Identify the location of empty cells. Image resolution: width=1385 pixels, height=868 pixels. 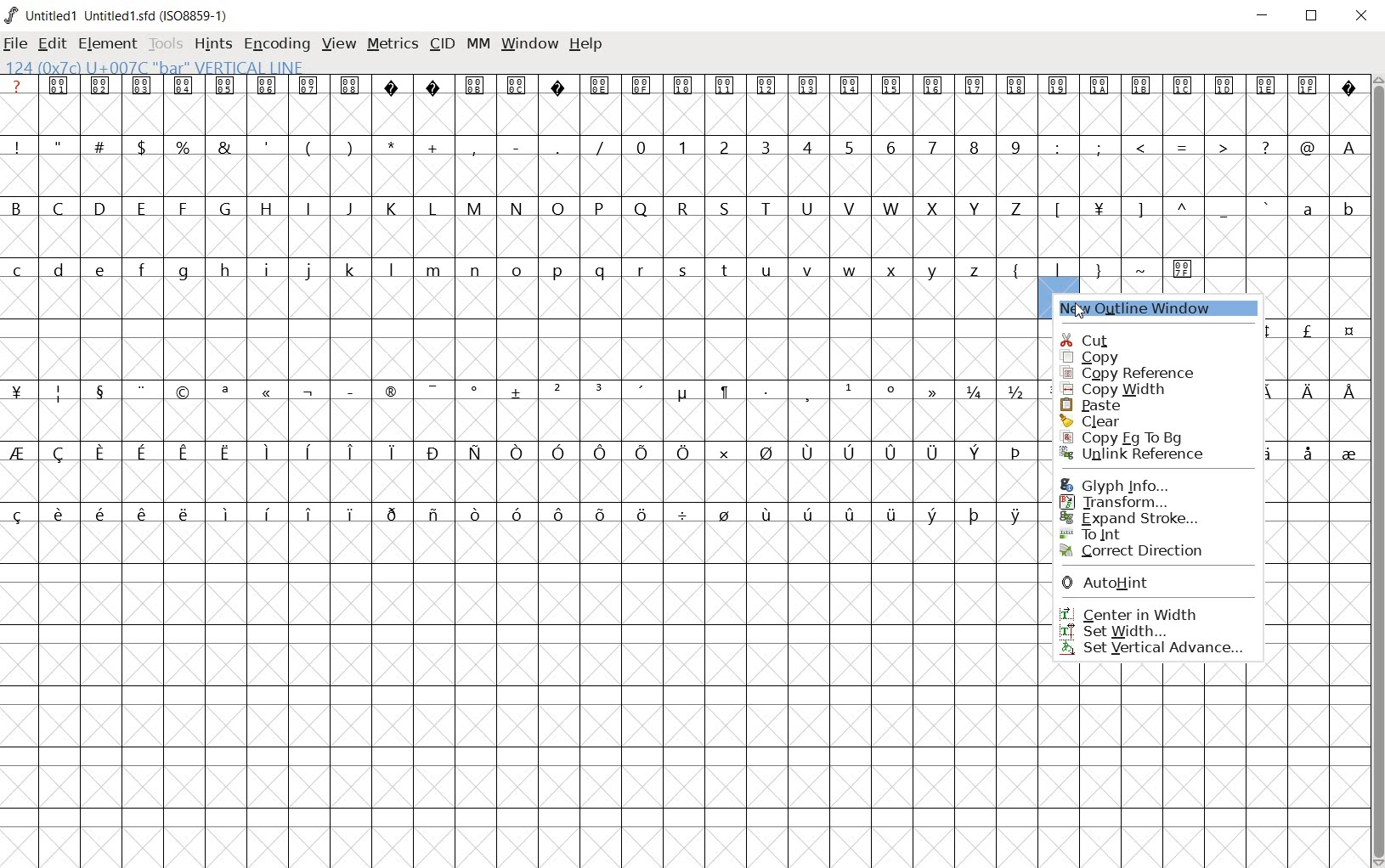
(1315, 600).